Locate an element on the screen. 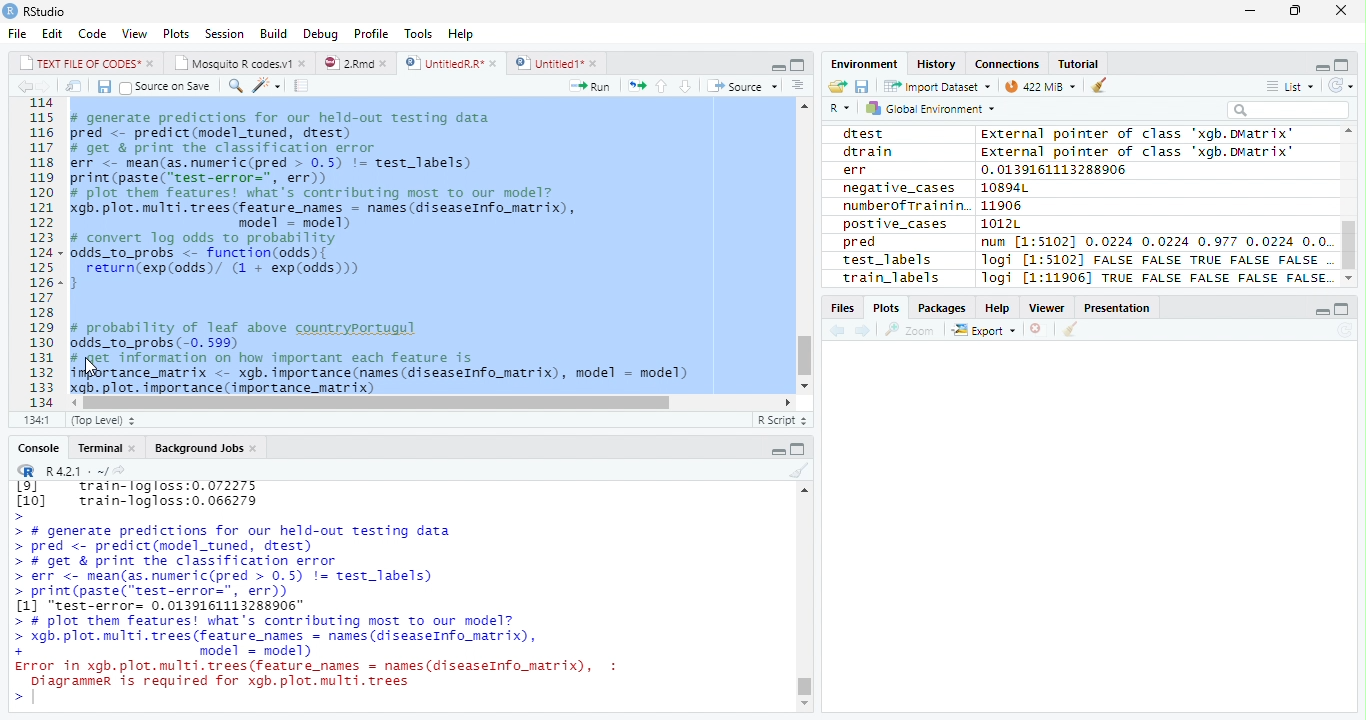 The height and width of the screenshot is (720, 1366). R is located at coordinates (840, 106).